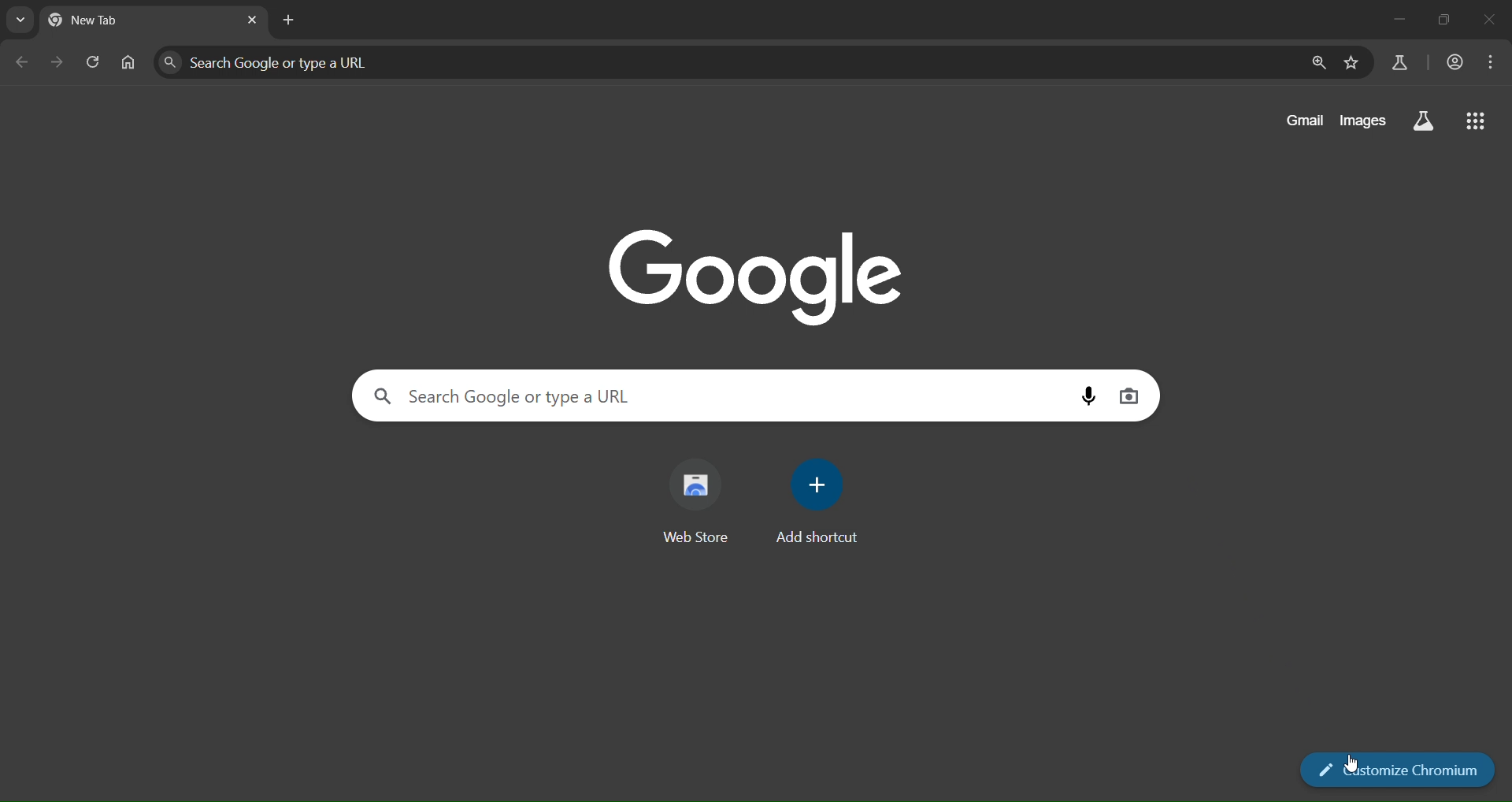 The image size is (1512, 802). I want to click on earch tabs, so click(17, 20).